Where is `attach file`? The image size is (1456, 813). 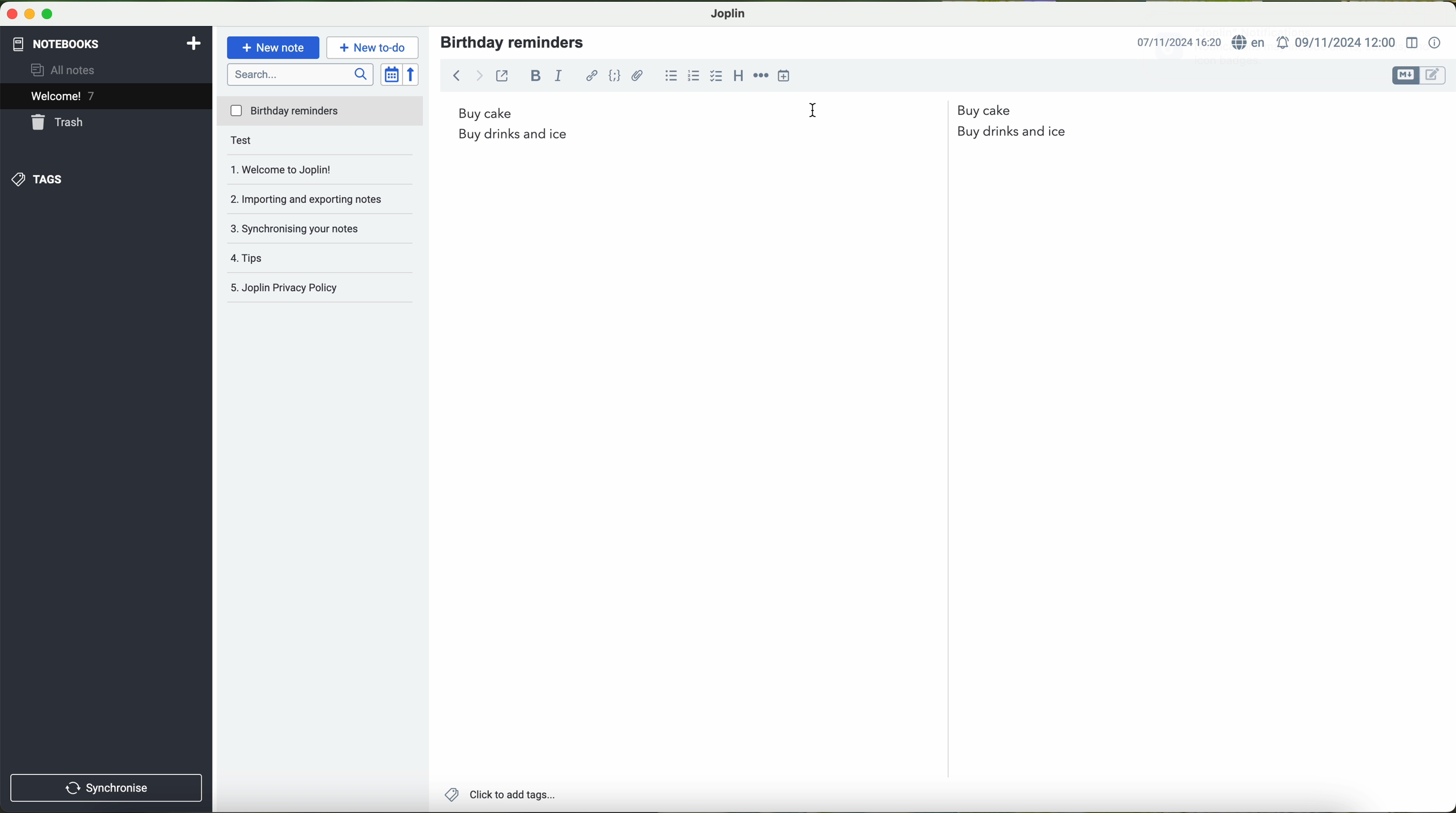
attach file is located at coordinates (637, 76).